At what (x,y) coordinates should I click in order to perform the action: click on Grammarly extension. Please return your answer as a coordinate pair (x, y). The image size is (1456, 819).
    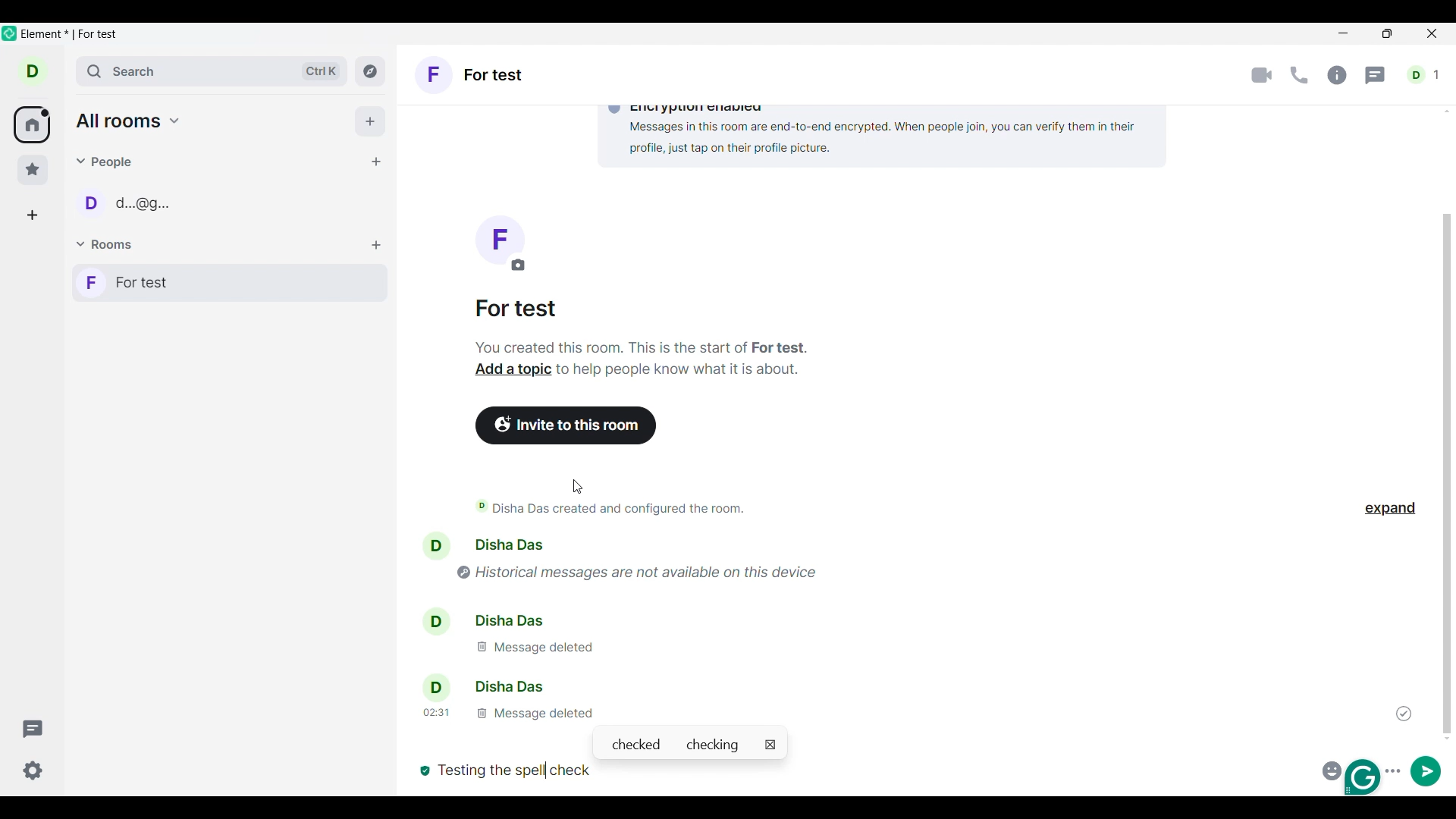
    Looking at the image, I should click on (1364, 777).